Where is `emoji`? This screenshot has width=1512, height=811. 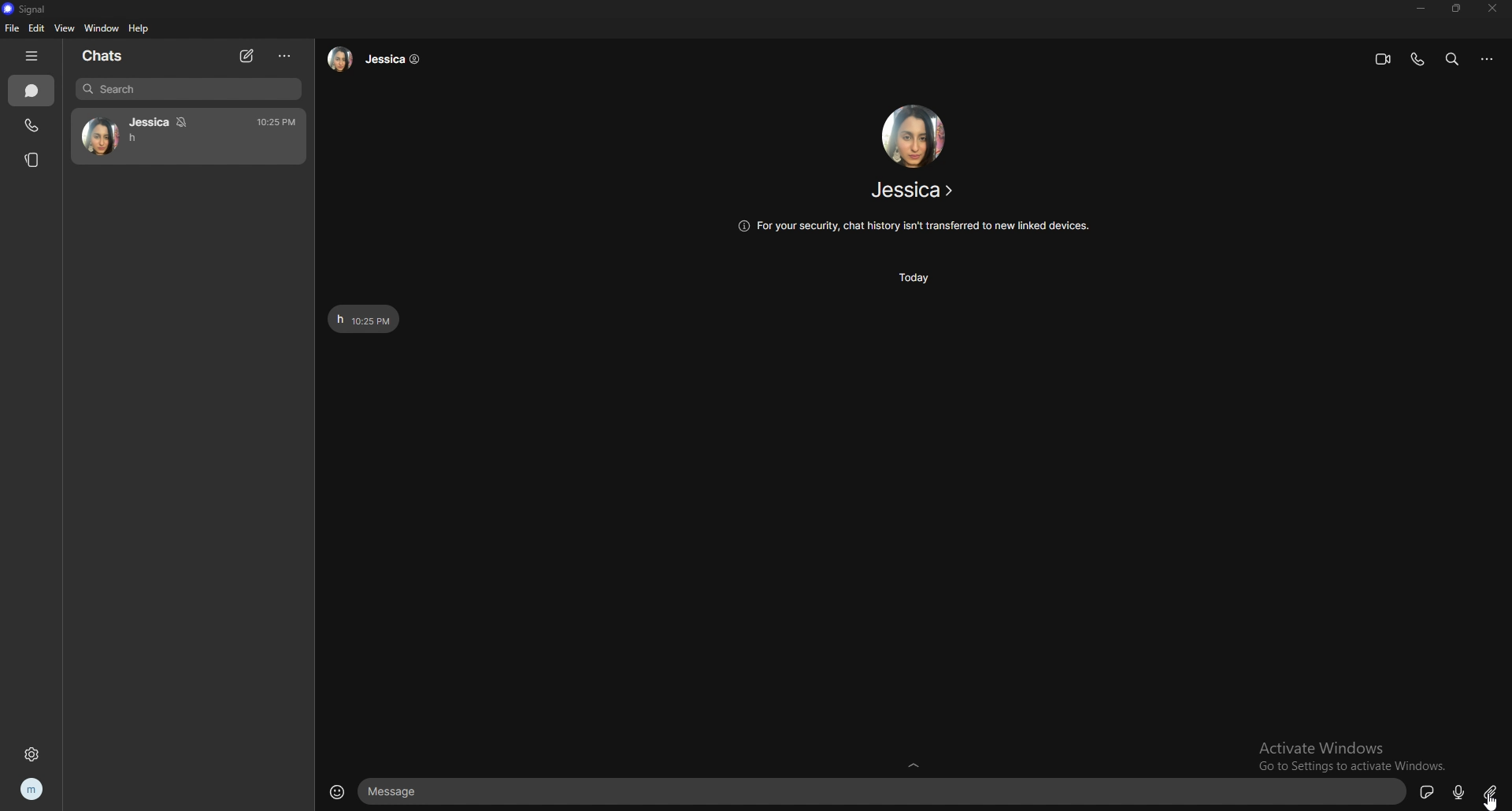 emoji is located at coordinates (339, 791).